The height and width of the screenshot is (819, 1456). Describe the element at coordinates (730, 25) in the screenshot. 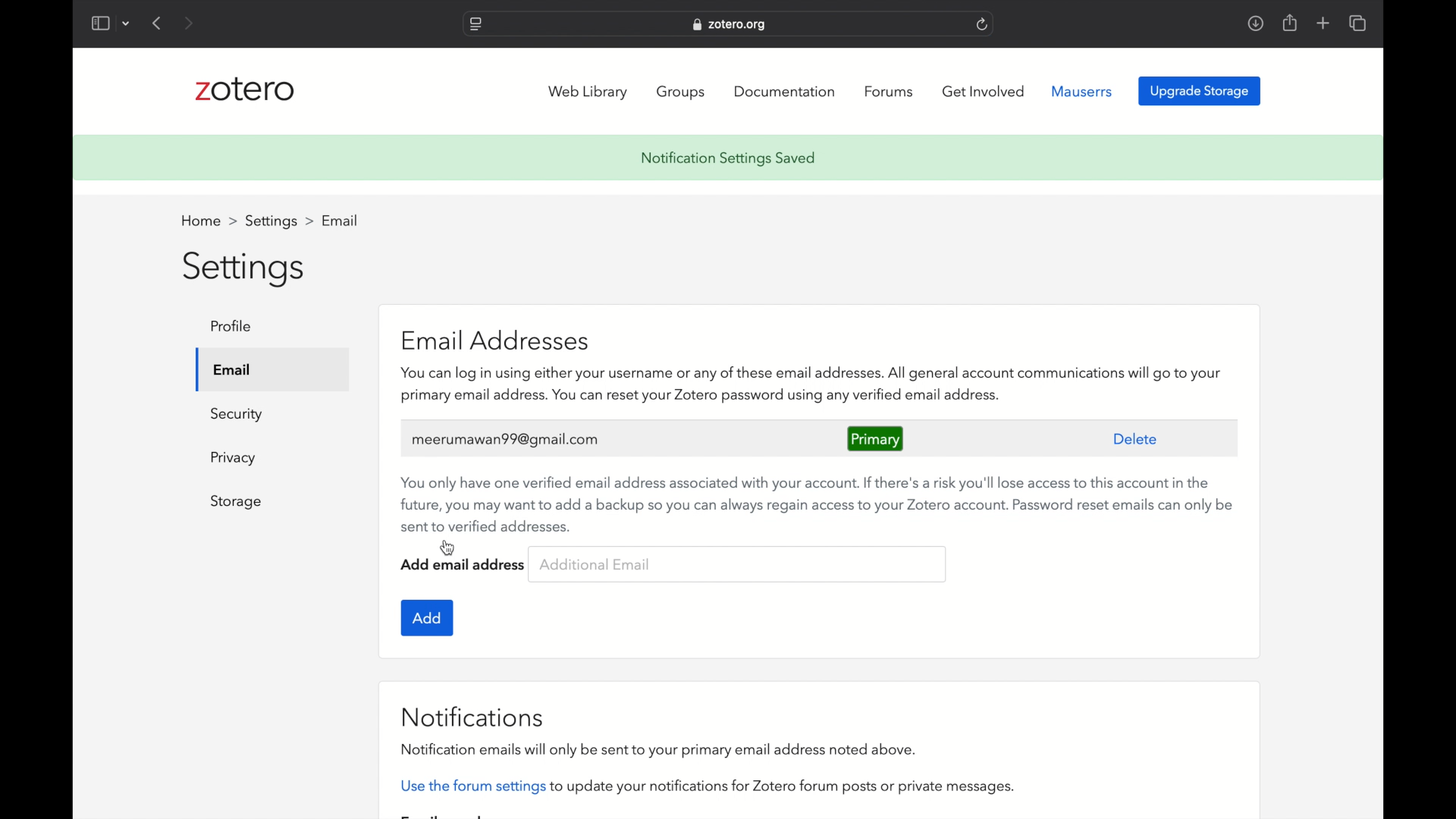

I see `website address` at that location.